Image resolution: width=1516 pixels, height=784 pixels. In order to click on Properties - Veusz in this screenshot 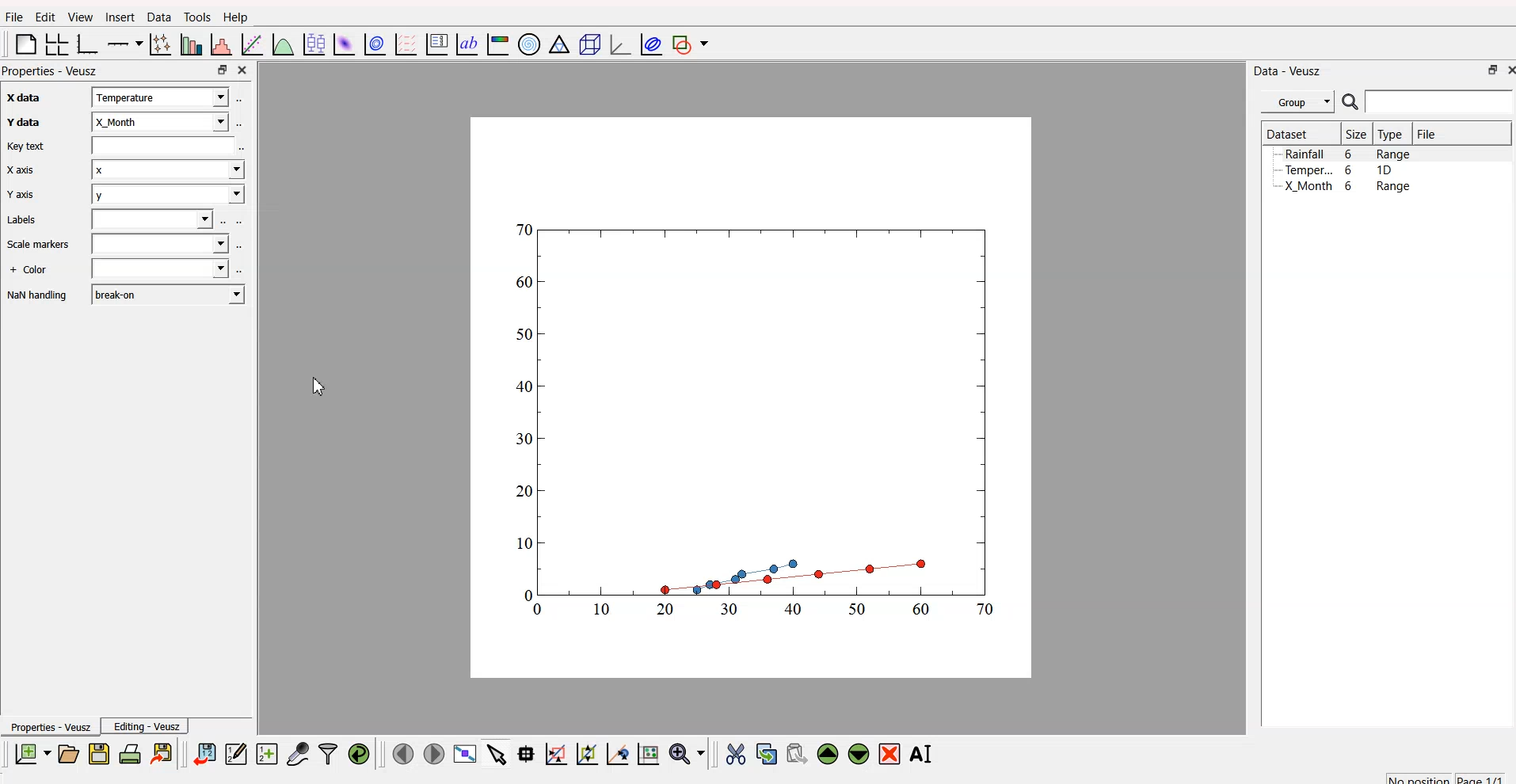, I will do `click(49, 726)`.